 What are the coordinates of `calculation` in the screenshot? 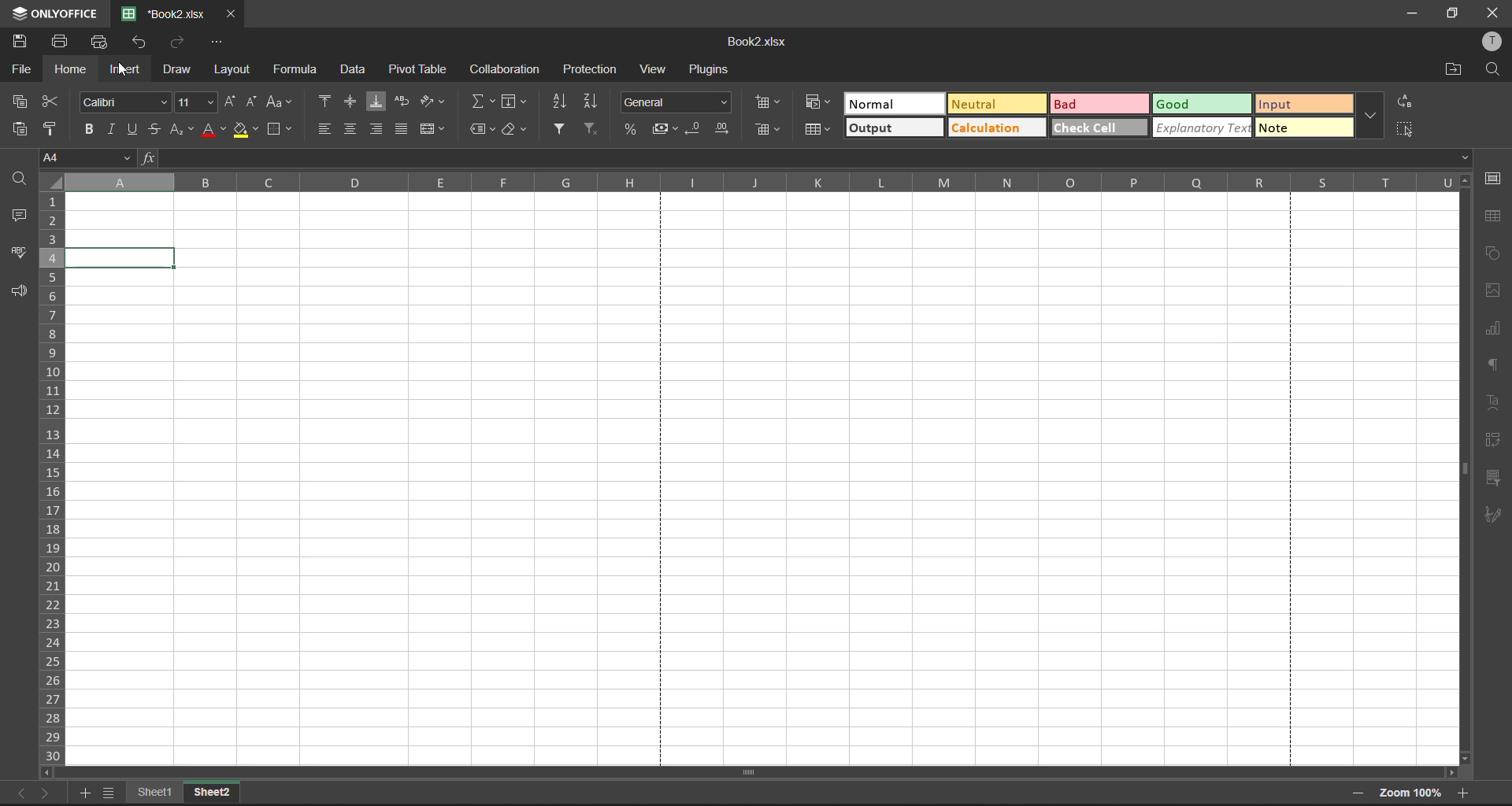 It's located at (995, 128).